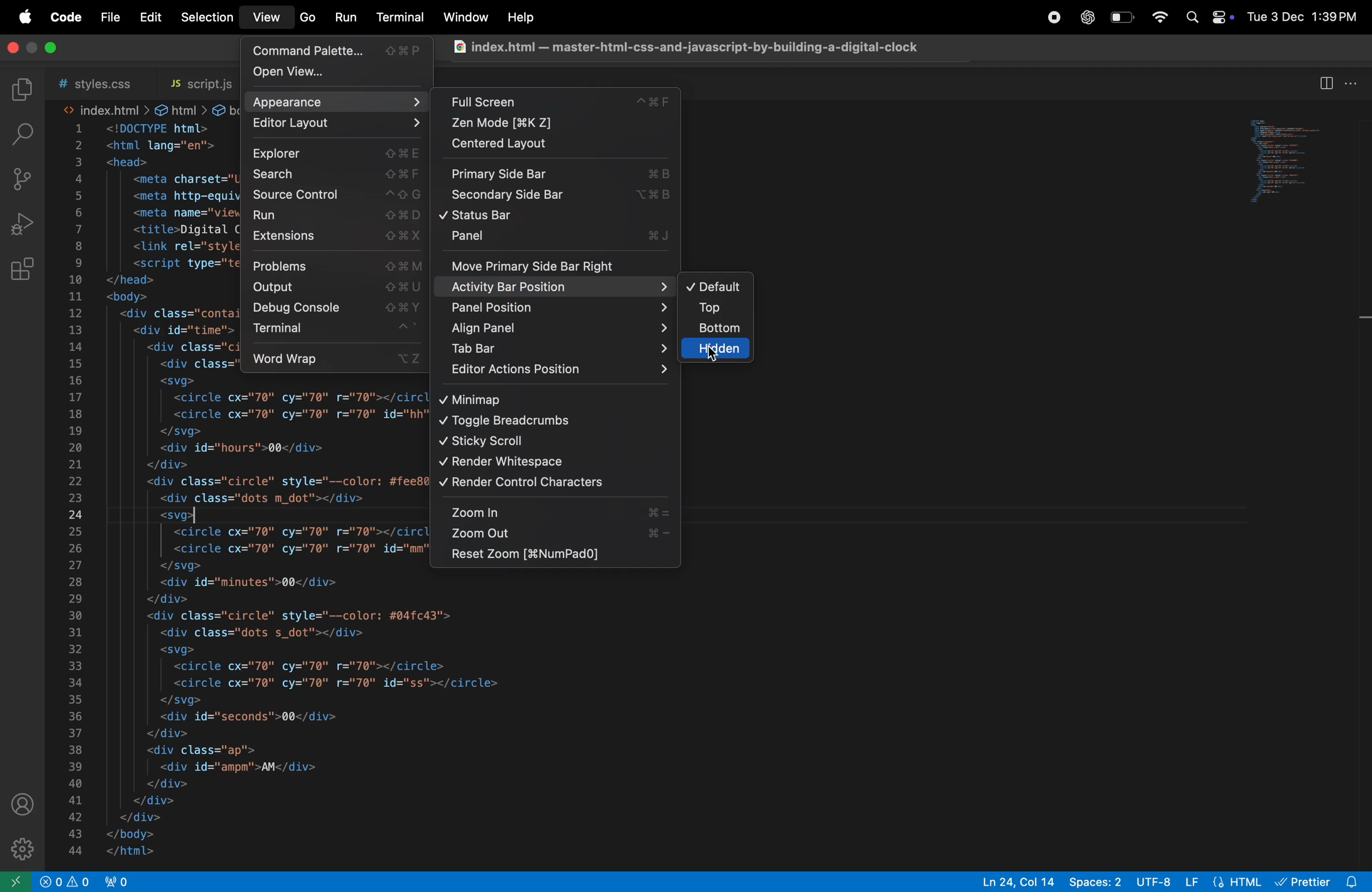  I want to click on maximize, so click(54, 48).